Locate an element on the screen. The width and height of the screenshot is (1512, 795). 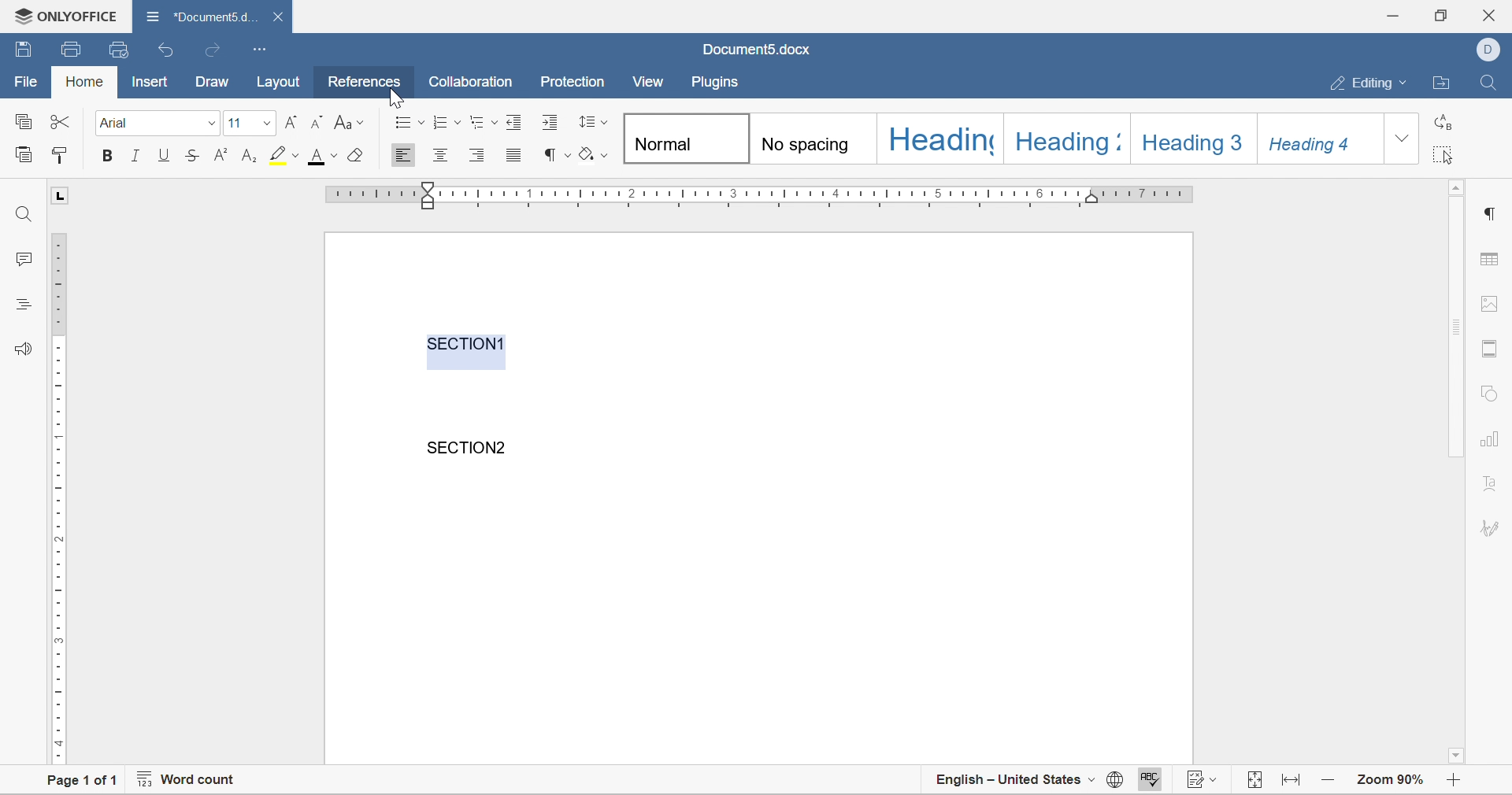
find is located at coordinates (24, 214).